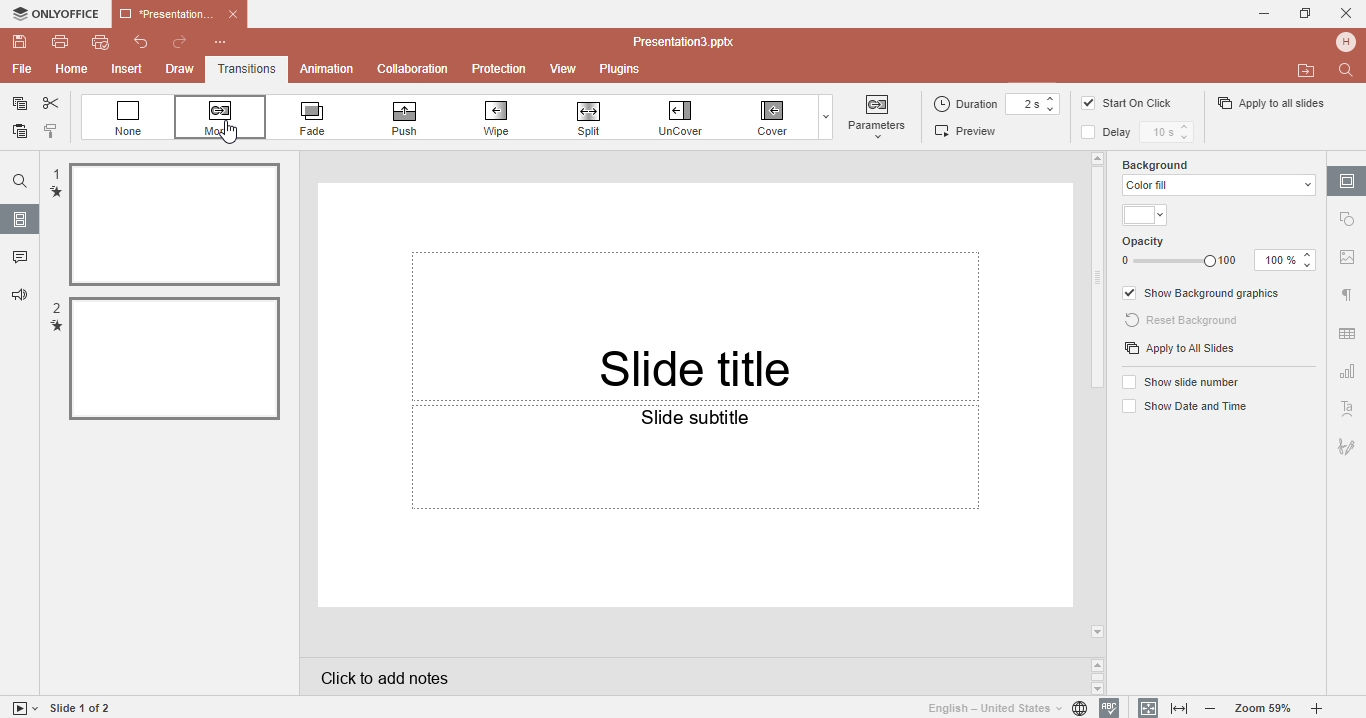 The width and height of the screenshot is (1366, 718). What do you see at coordinates (175, 358) in the screenshot?
I see `Slected file 2` at bounding box center [175, 358].